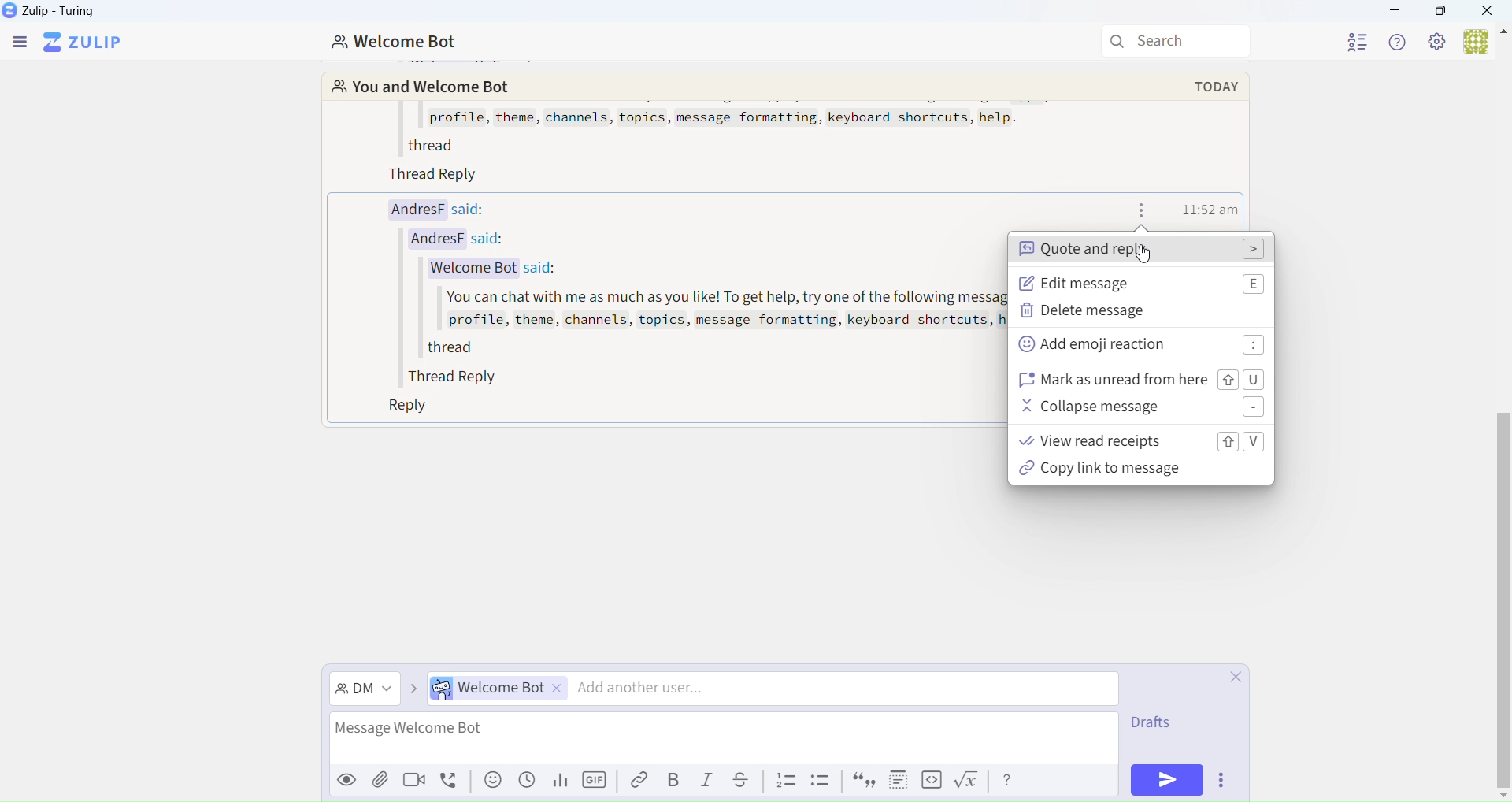  I want to click on quote & reply, so click(1145, 251).